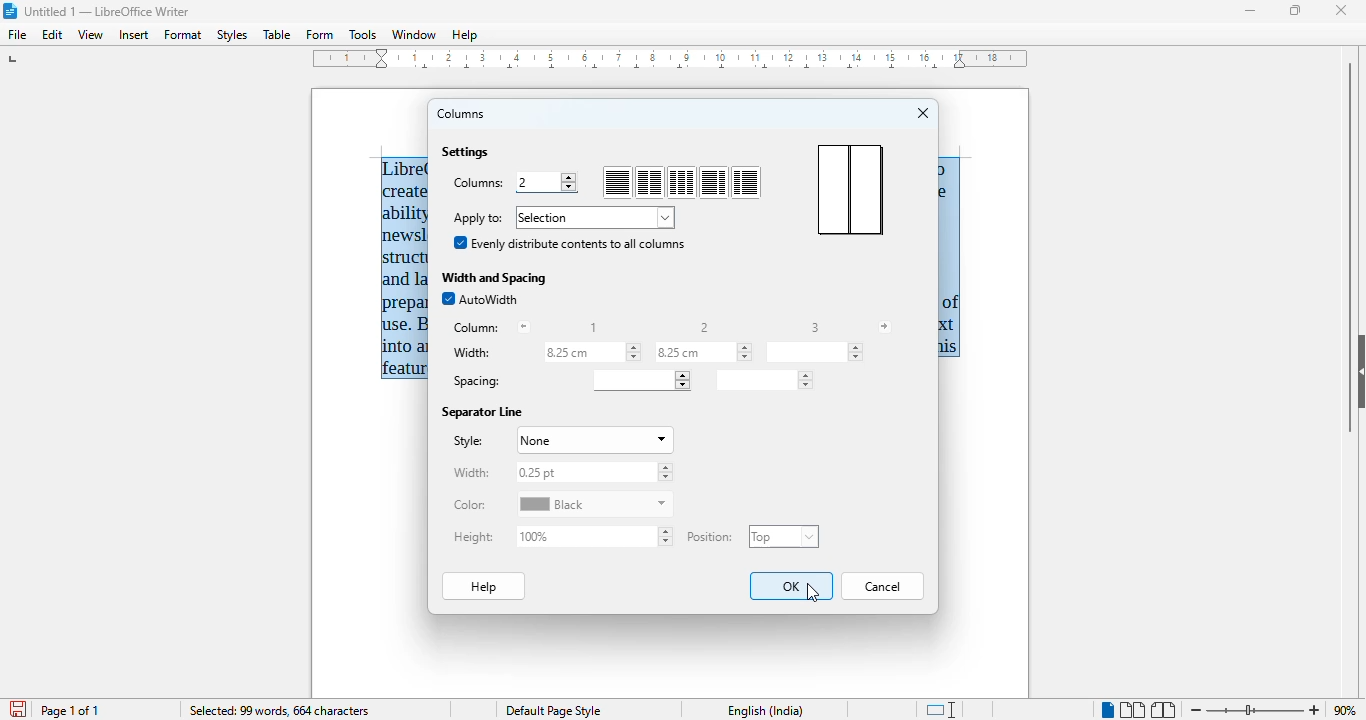 The height and width of the screenshot is (720, 1366). I want to click on apply to: selection, so click(562, 217).